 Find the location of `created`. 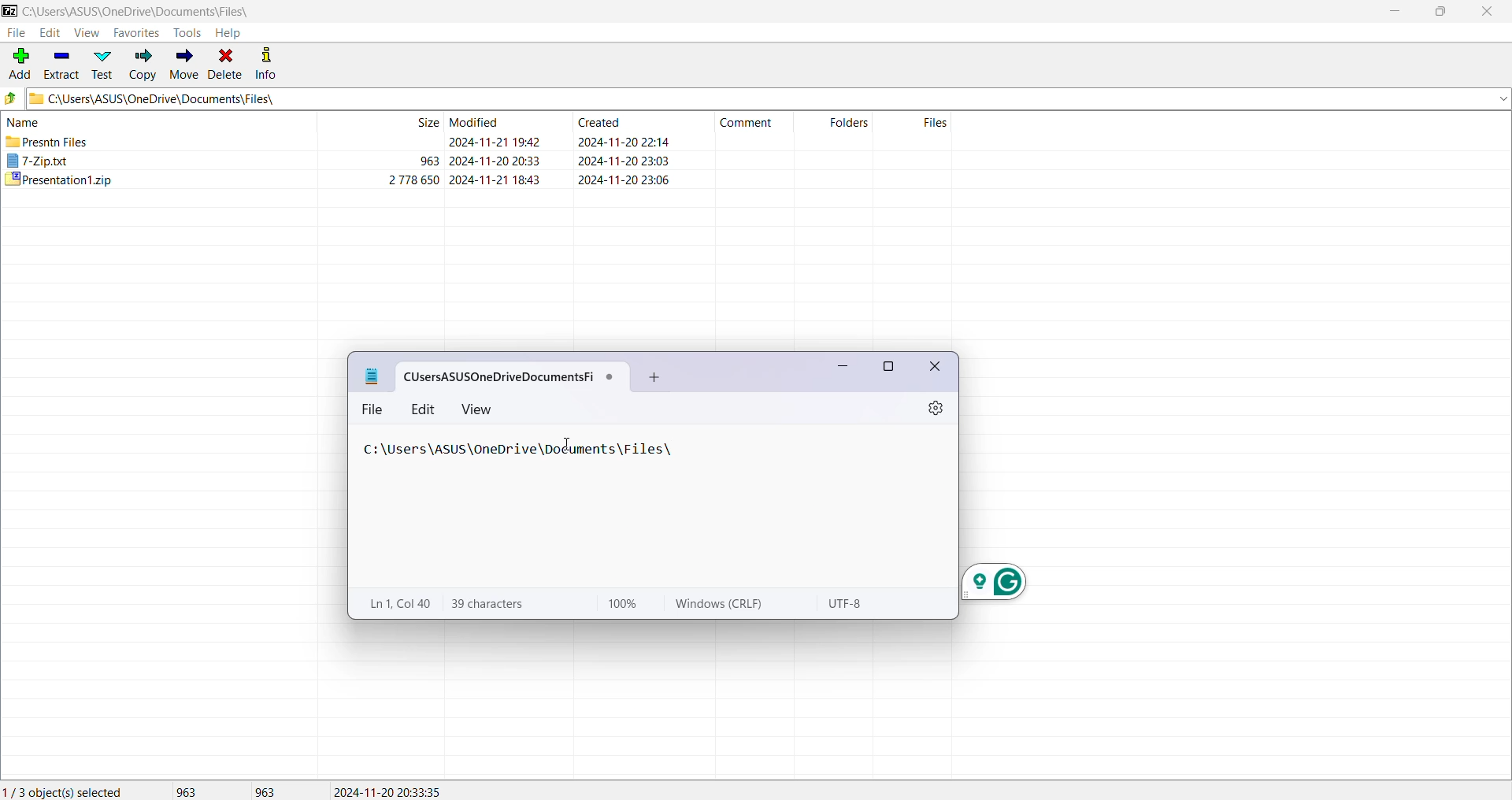

created is located at coordinates (598, 122).